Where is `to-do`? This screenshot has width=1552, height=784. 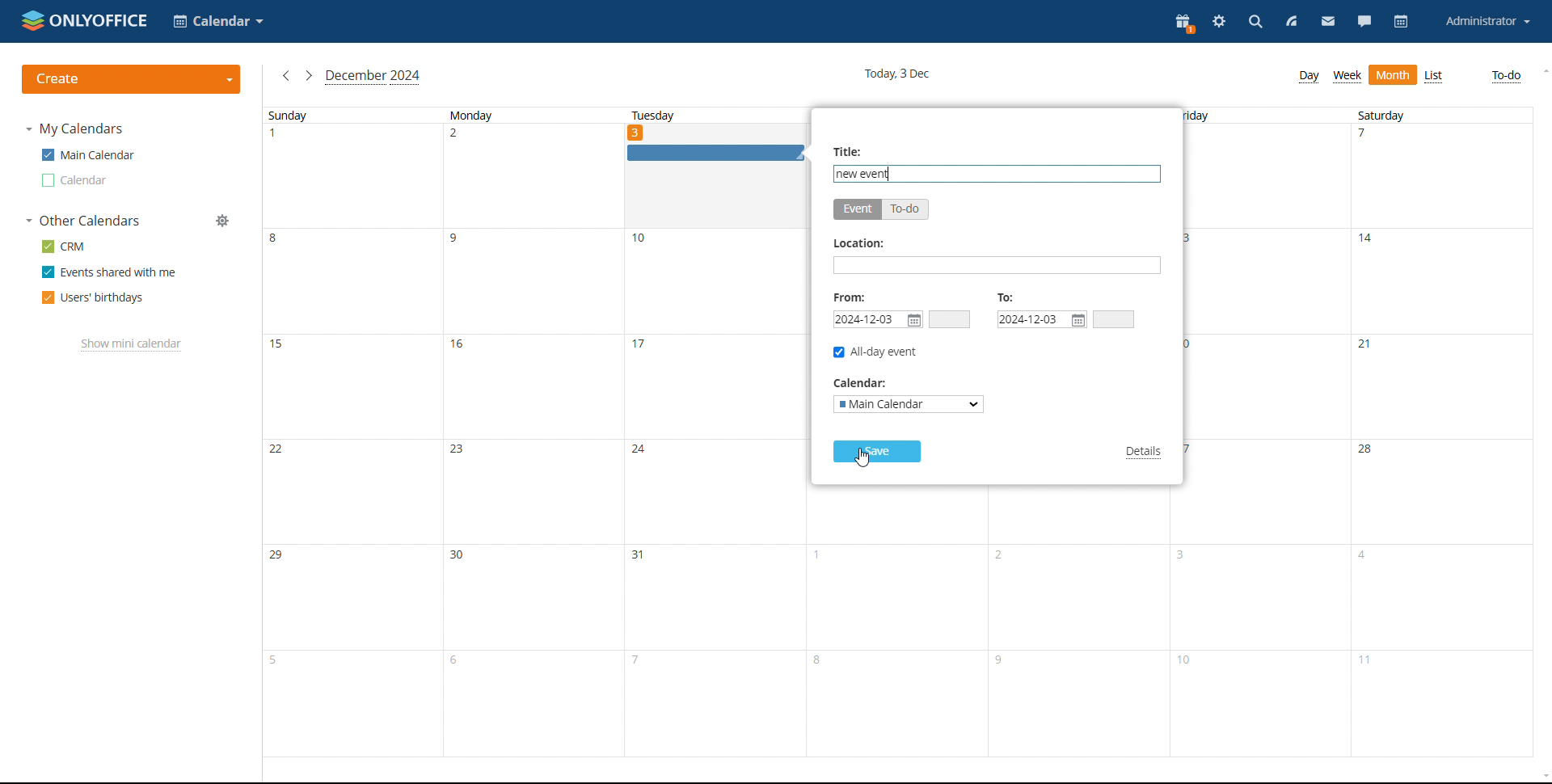 to-do is located at coordinates (906, 209).